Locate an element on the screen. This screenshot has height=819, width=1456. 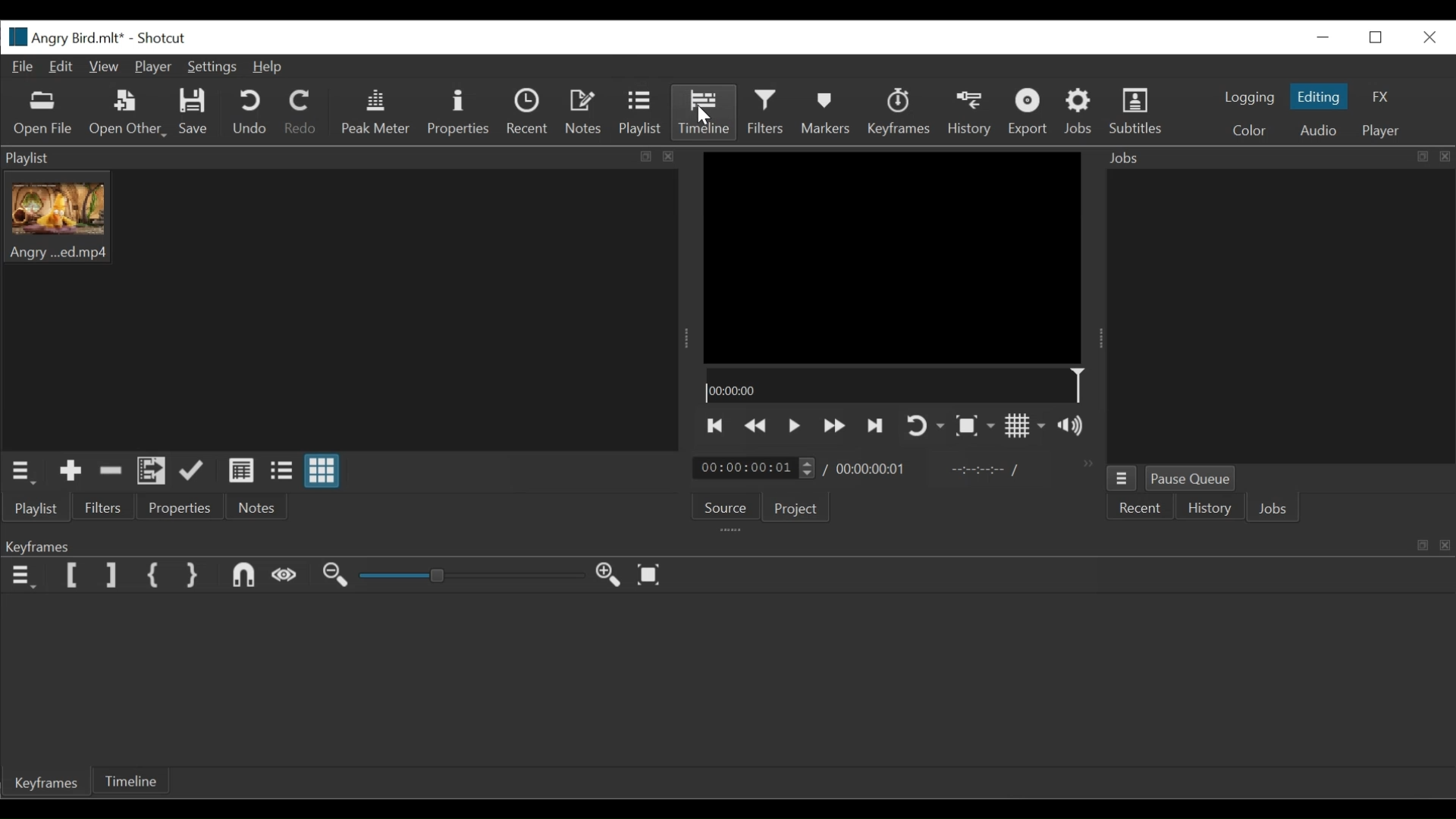
Job menu is located at coordinates (1125, 479).